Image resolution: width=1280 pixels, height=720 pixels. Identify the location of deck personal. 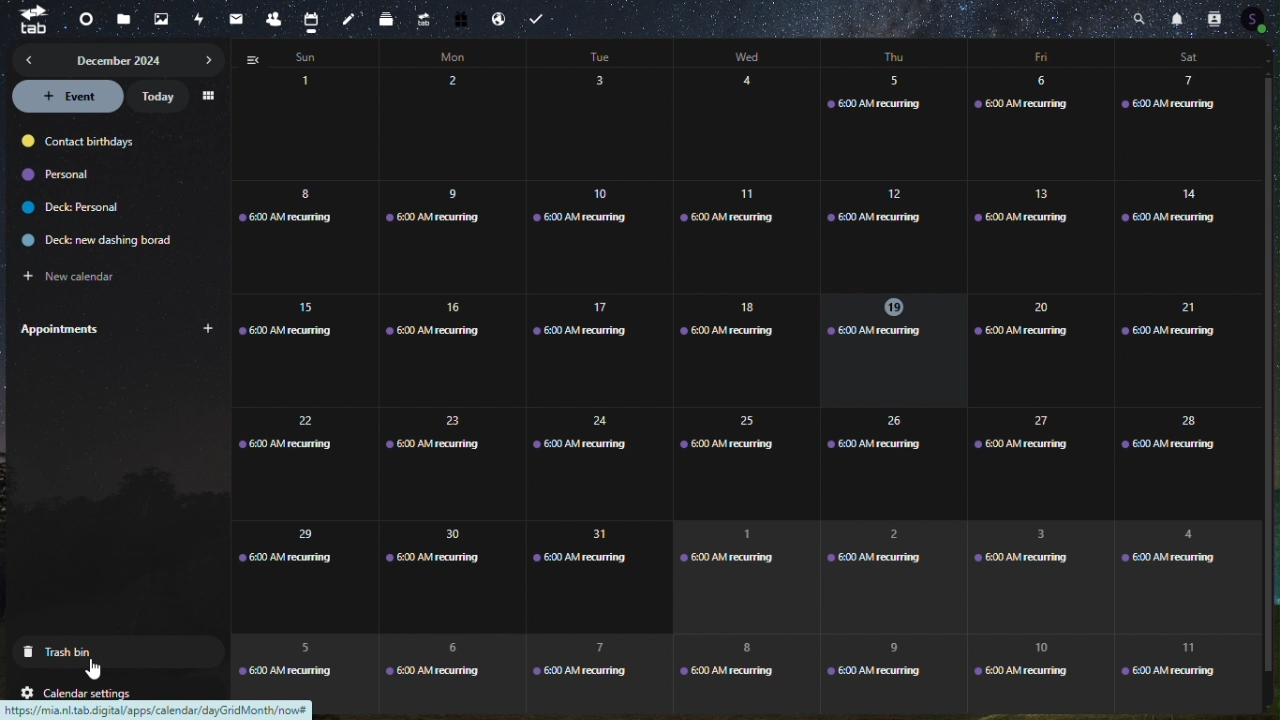
(69, 208).